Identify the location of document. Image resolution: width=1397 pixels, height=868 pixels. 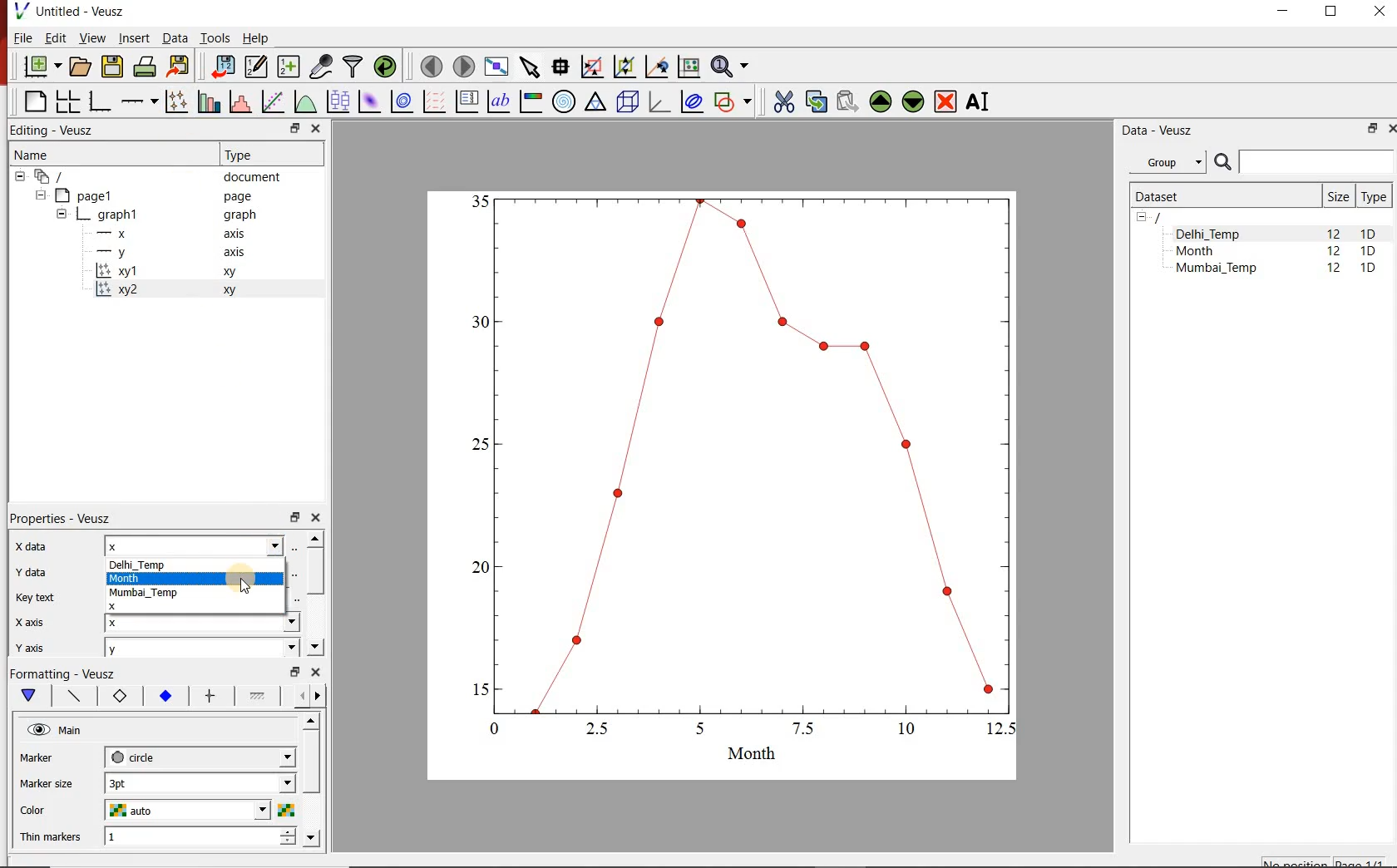
(151, 175).